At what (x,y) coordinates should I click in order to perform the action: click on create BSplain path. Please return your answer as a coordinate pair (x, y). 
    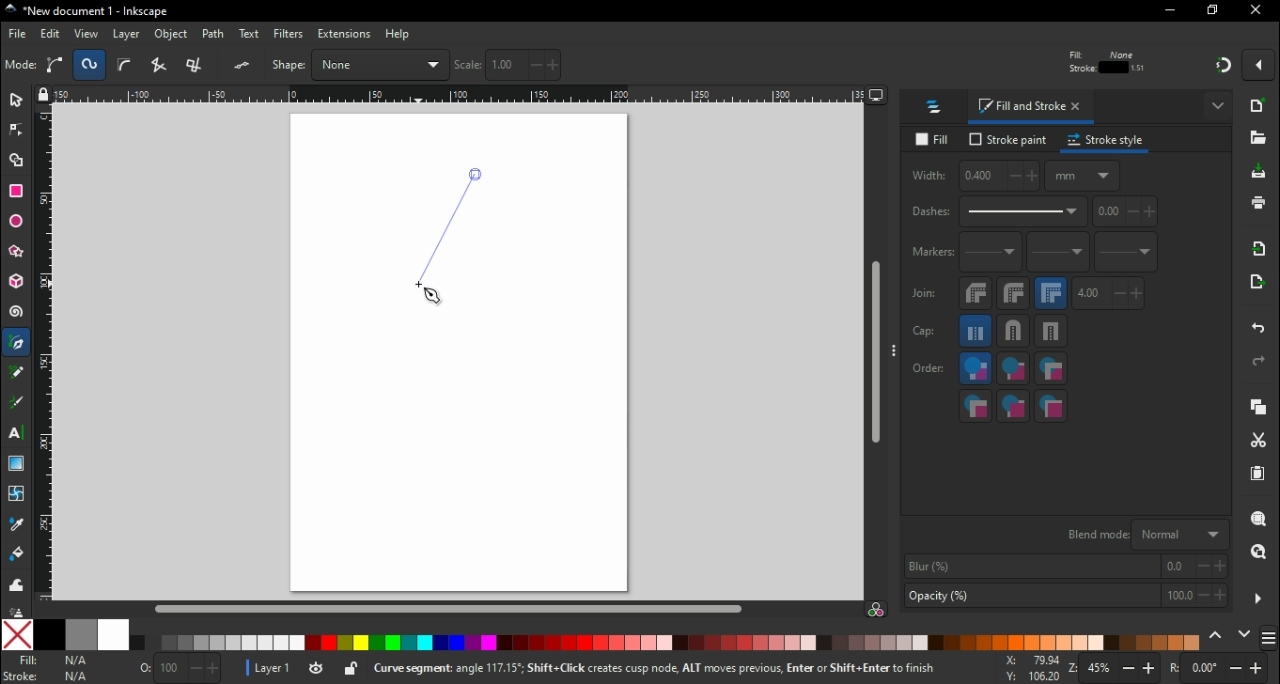
    Looking at the image, I should click on (128, 68).